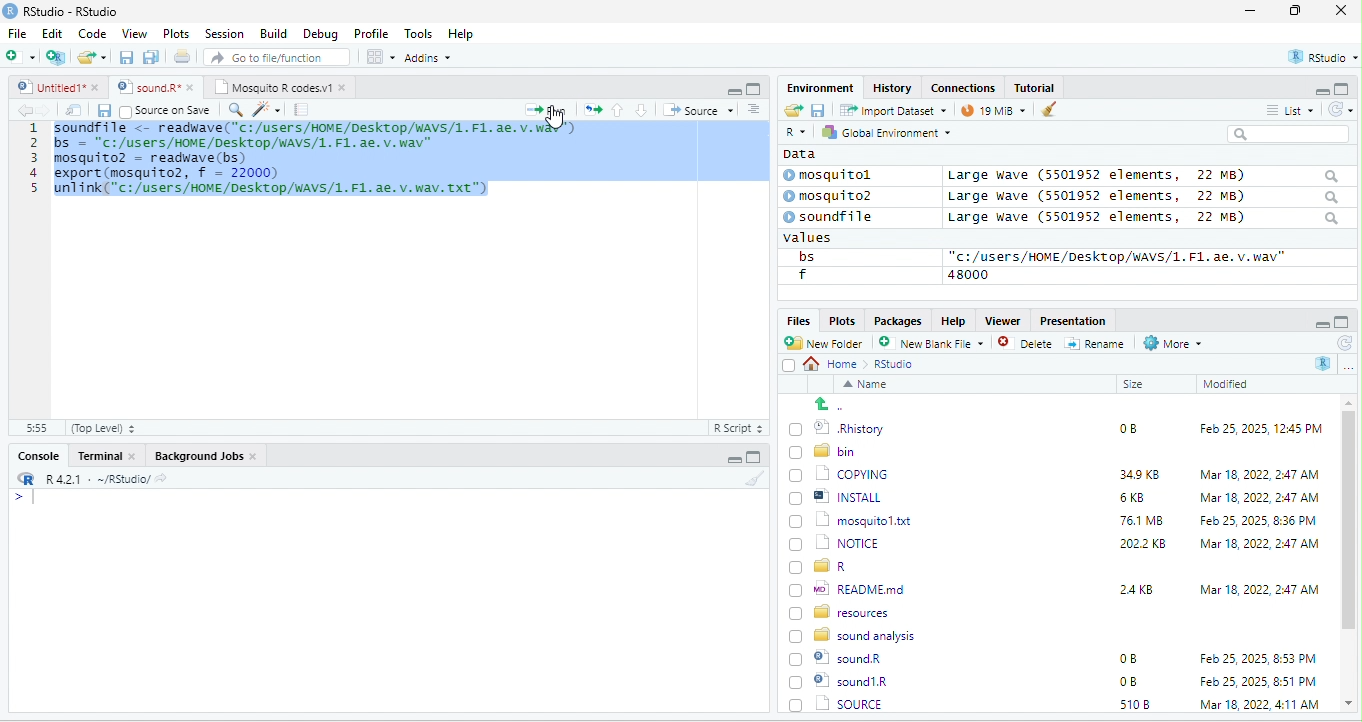 This screenshot has width=1362, height=722. Describe the element at coordinates (462, 35) in the screenshot. I see `Help` at that location.